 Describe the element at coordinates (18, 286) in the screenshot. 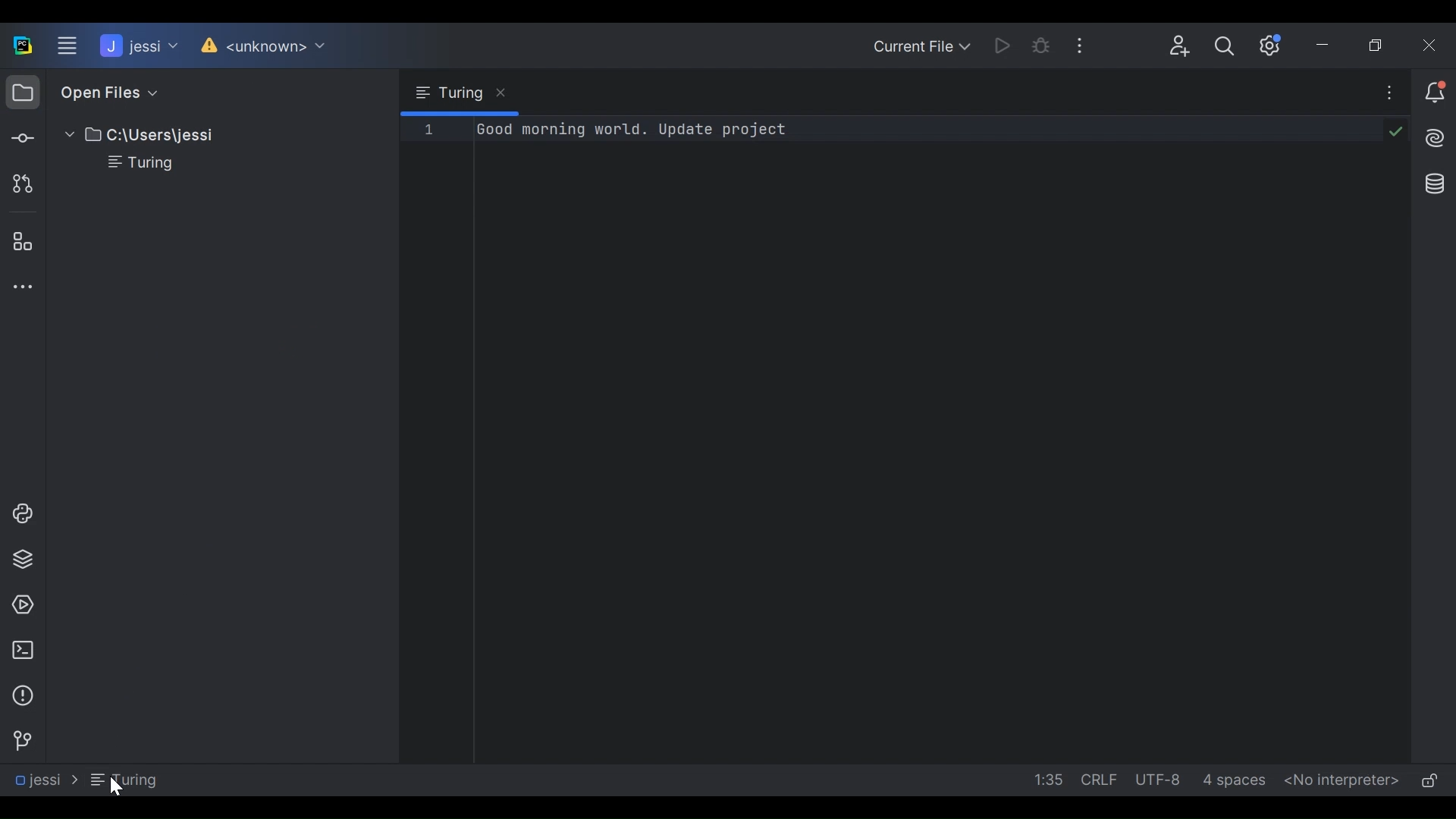

I see `More Tool Windows` at that location.